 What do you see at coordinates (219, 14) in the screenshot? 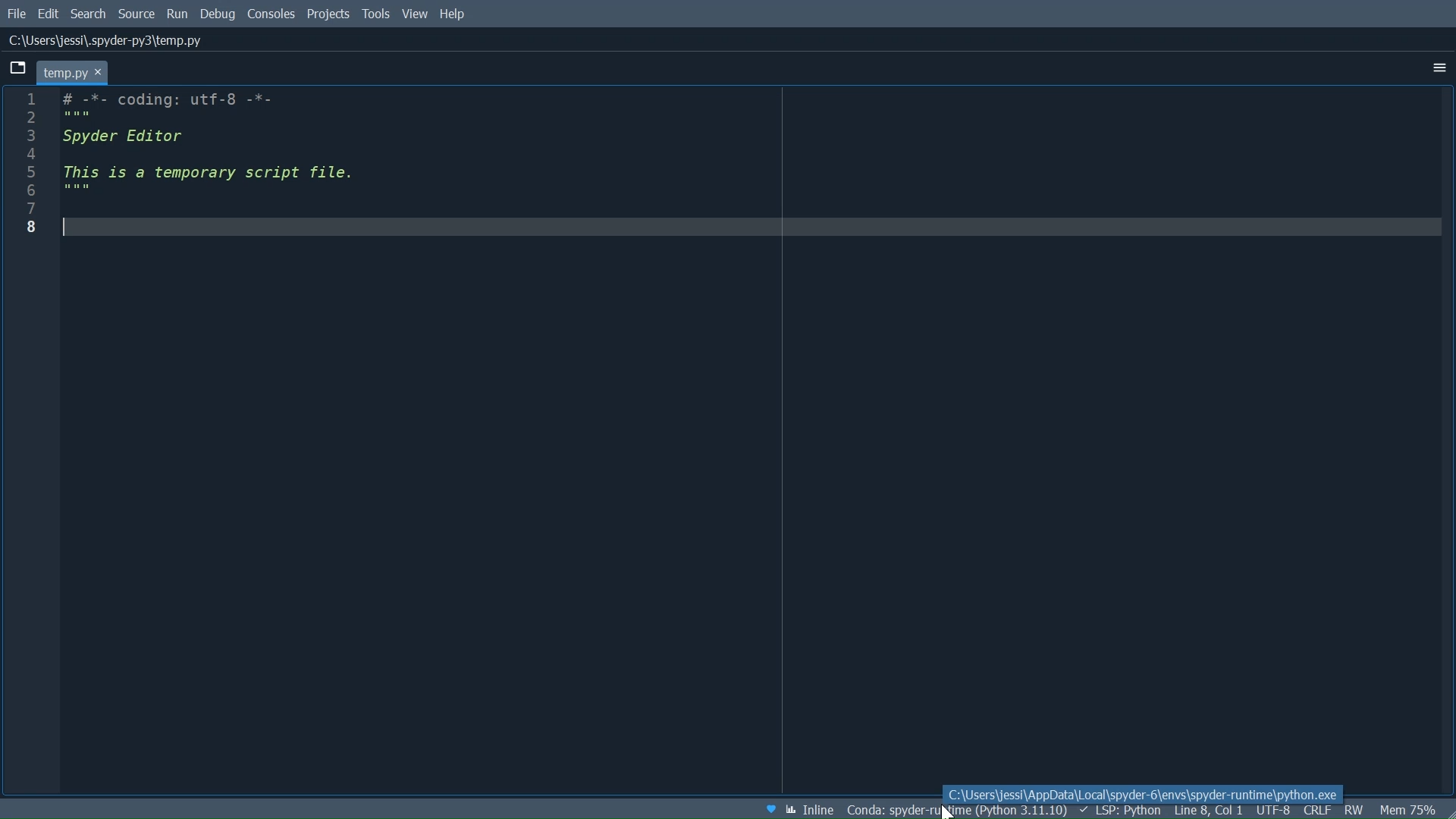
I see `Debug` at bounding box center [219, 14].